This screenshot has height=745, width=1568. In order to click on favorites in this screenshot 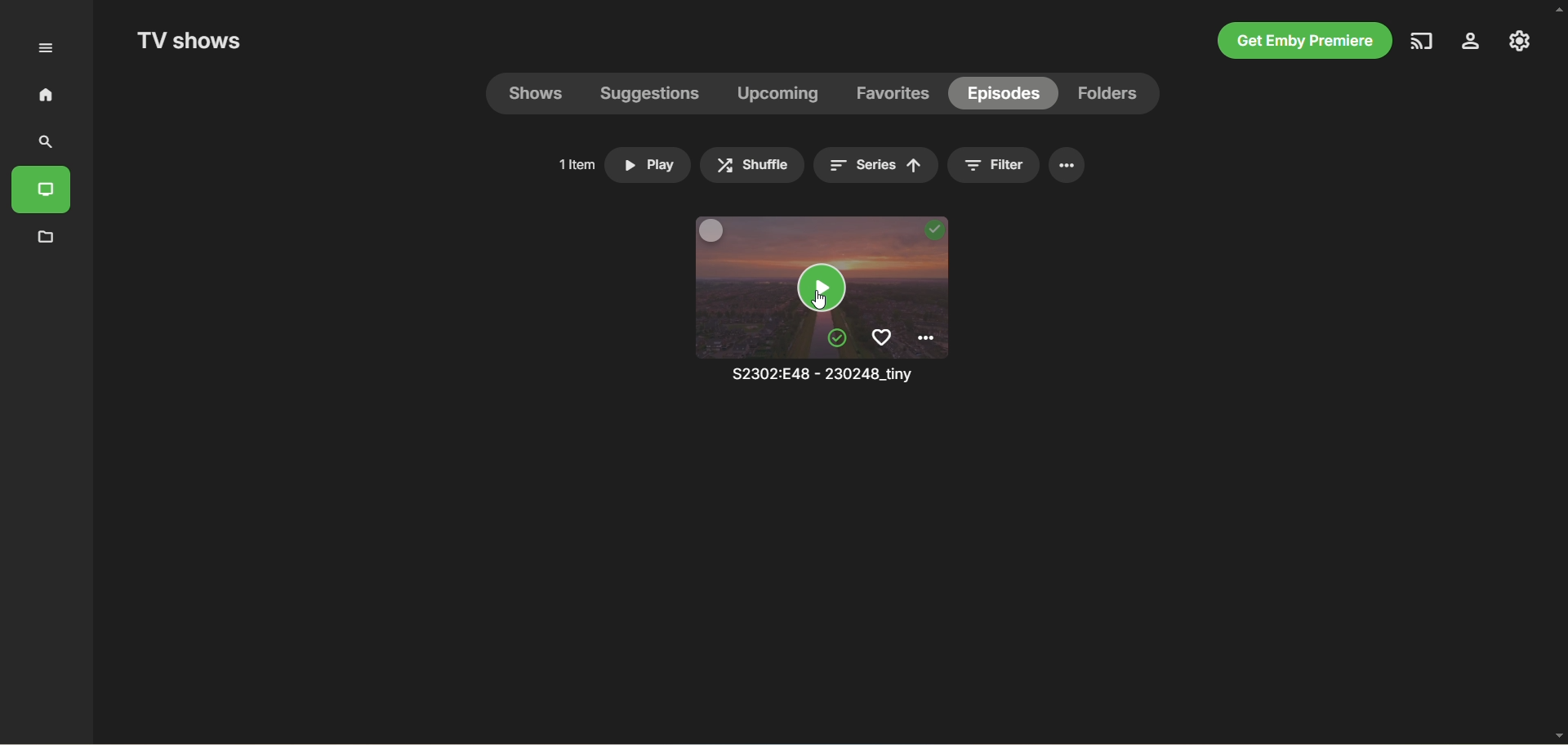, I will do `click(891, 94)`.